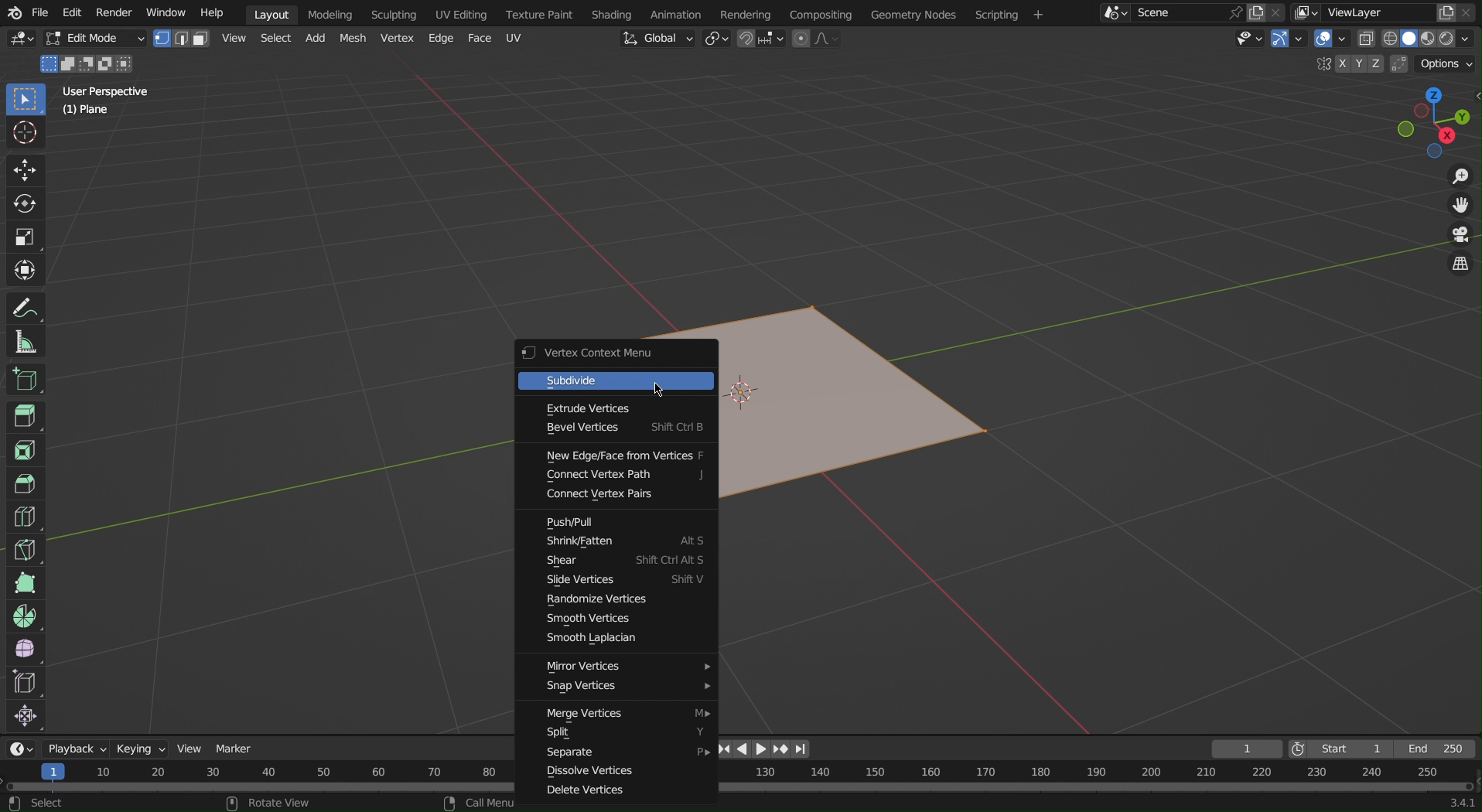 Image resolution: width=1482 pixels, height=812 pixels. I want to click on Smooth, so click(24, 650).